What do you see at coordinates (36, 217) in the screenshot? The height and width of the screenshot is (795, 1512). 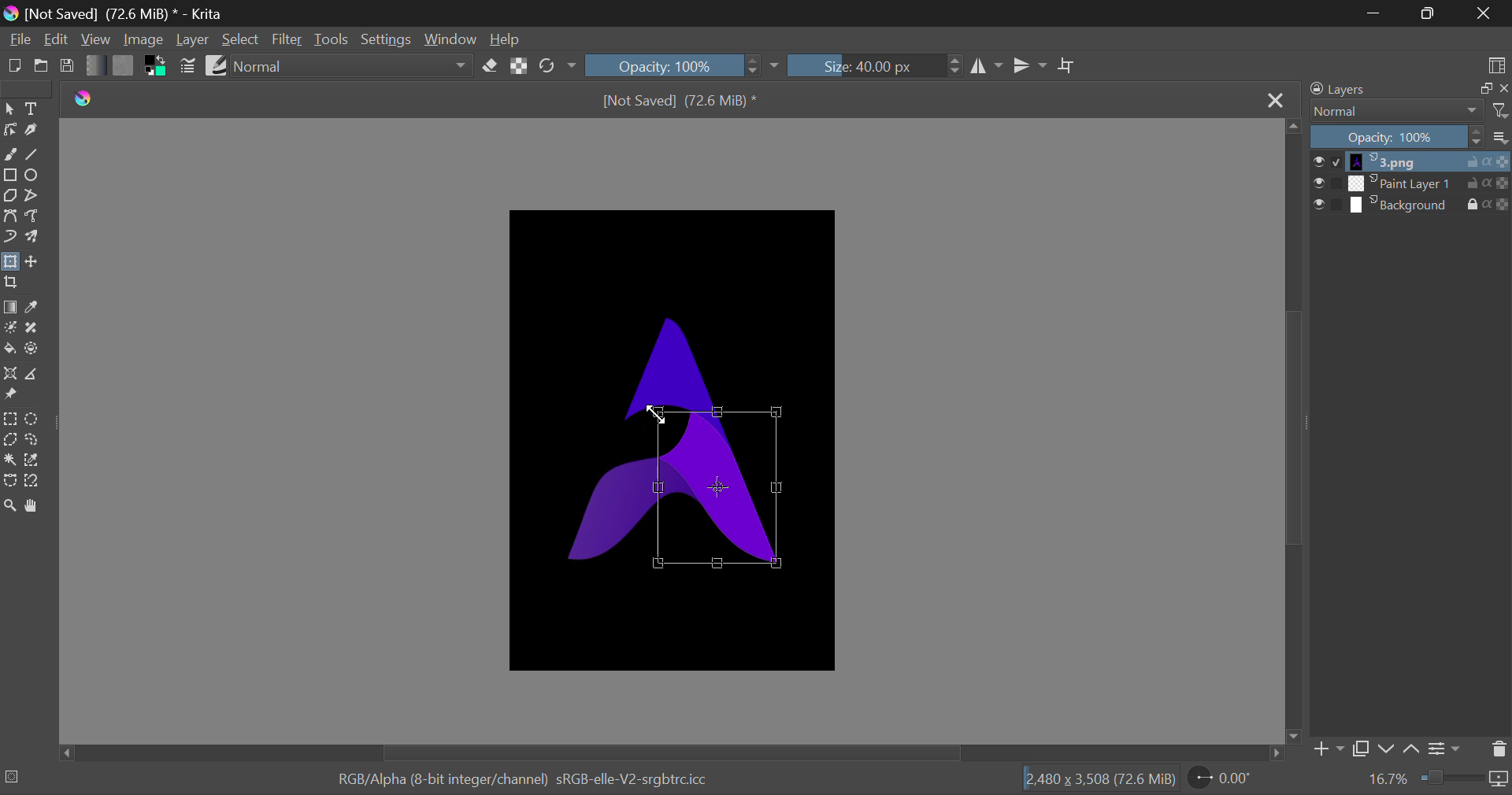 I see `Freehand Path Tool` at bounding box center [36, 217].